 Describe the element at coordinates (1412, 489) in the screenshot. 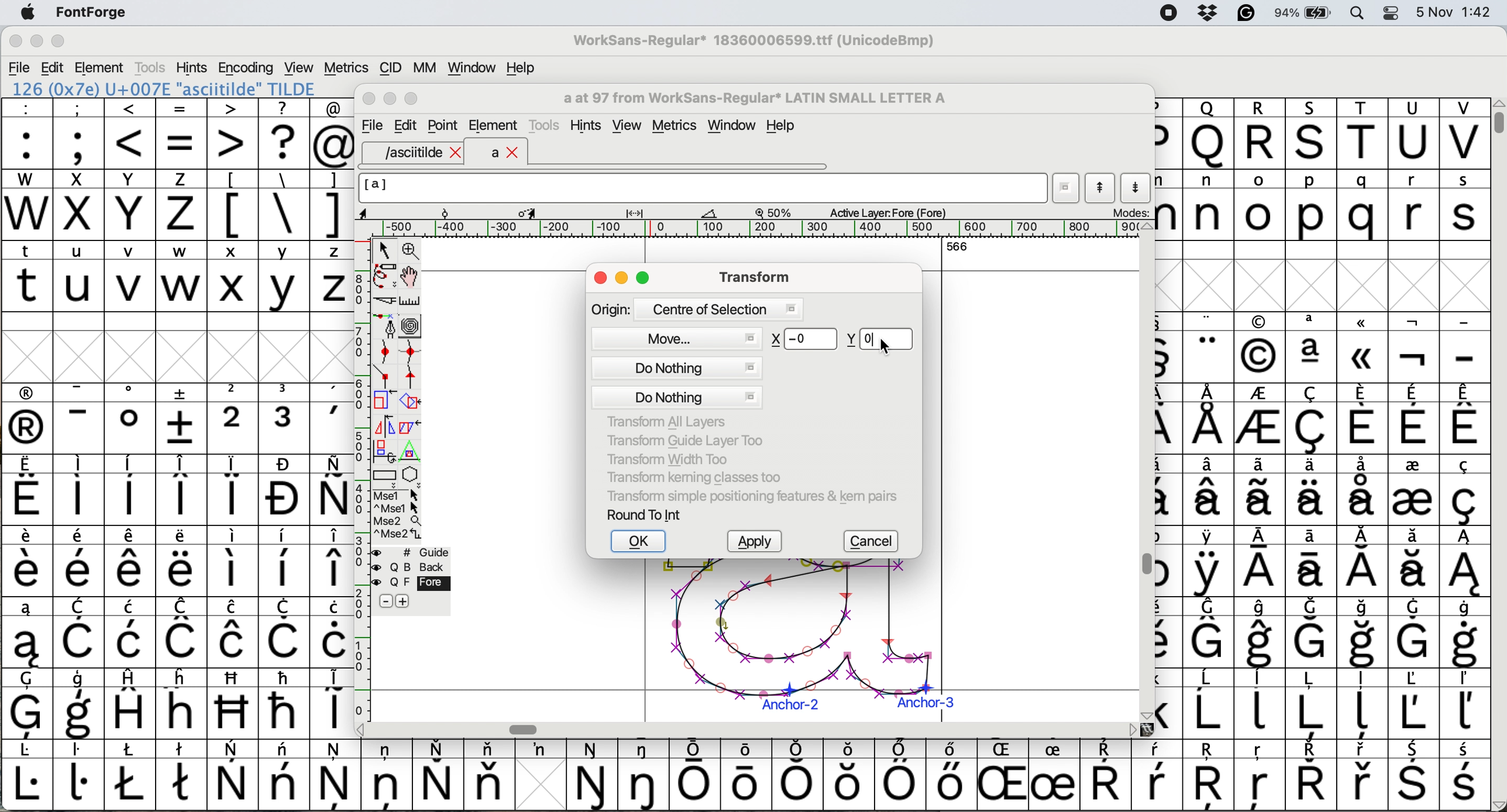

I see `symbol` at that location.